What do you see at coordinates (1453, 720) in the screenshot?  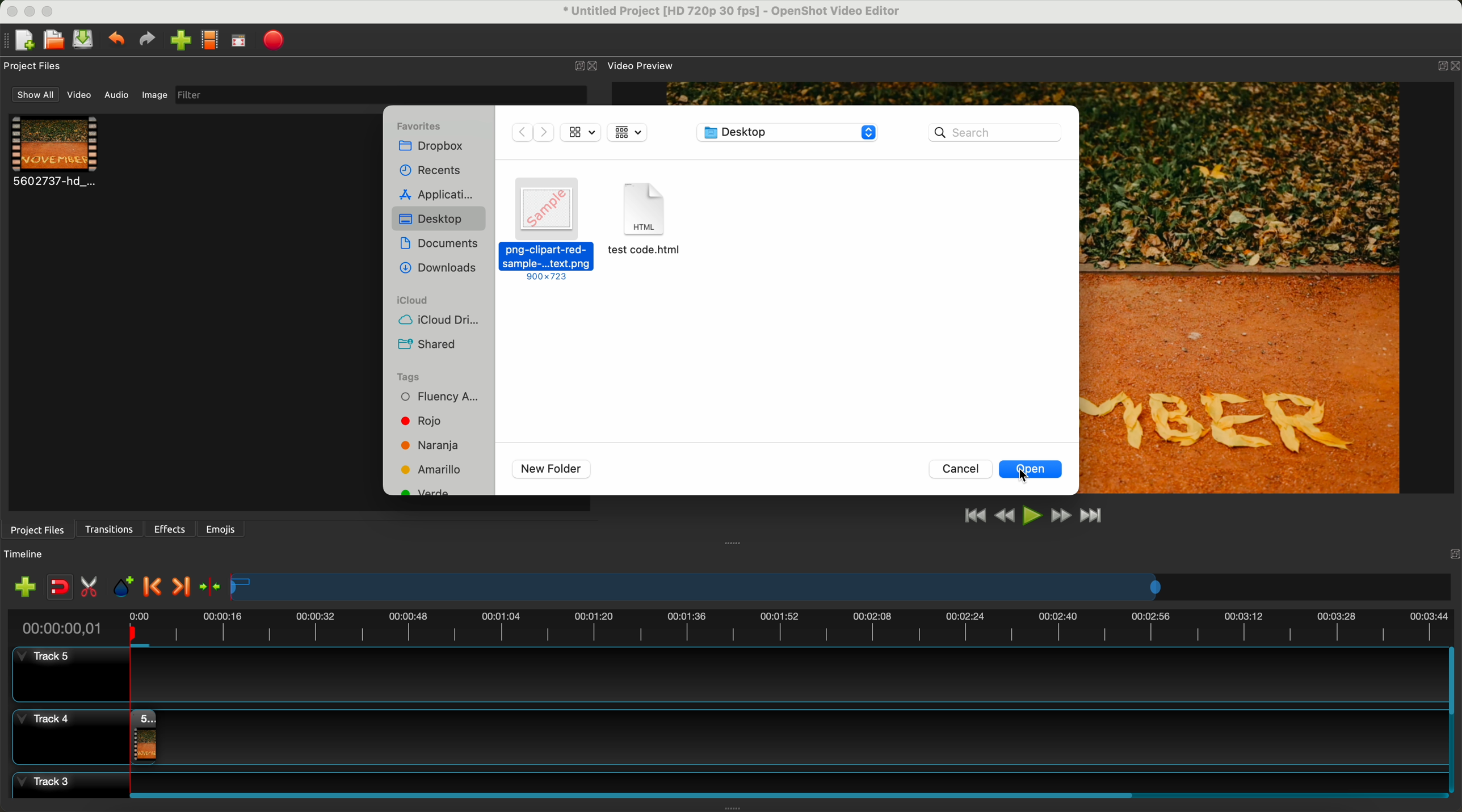 I see `scroll bar` at bounding box center [1453, 720].